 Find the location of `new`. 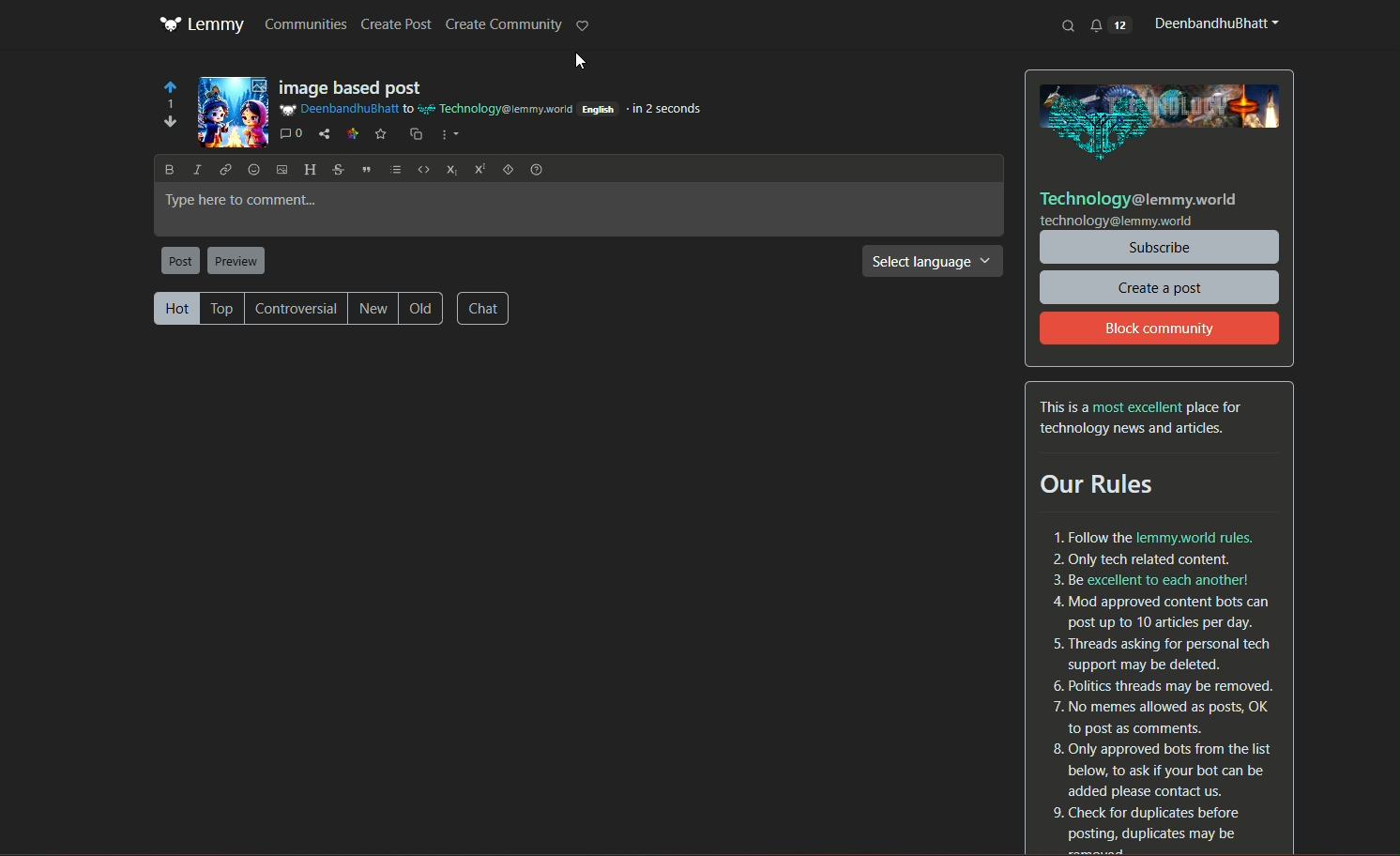

new is located at coordinates (376, 309).